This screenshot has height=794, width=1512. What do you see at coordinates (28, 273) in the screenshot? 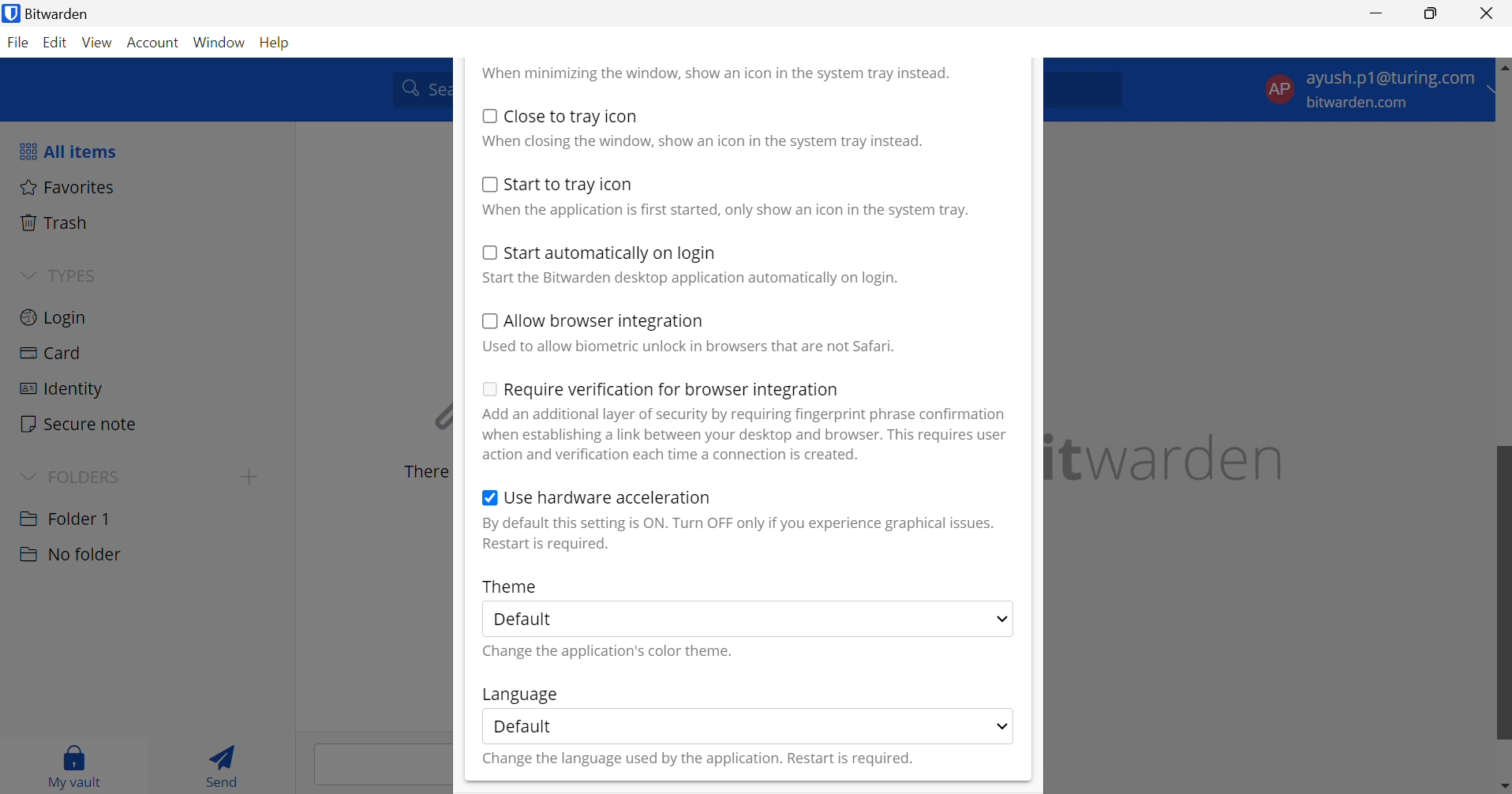
I see `Drop Down` at bounding box center [28, 273].